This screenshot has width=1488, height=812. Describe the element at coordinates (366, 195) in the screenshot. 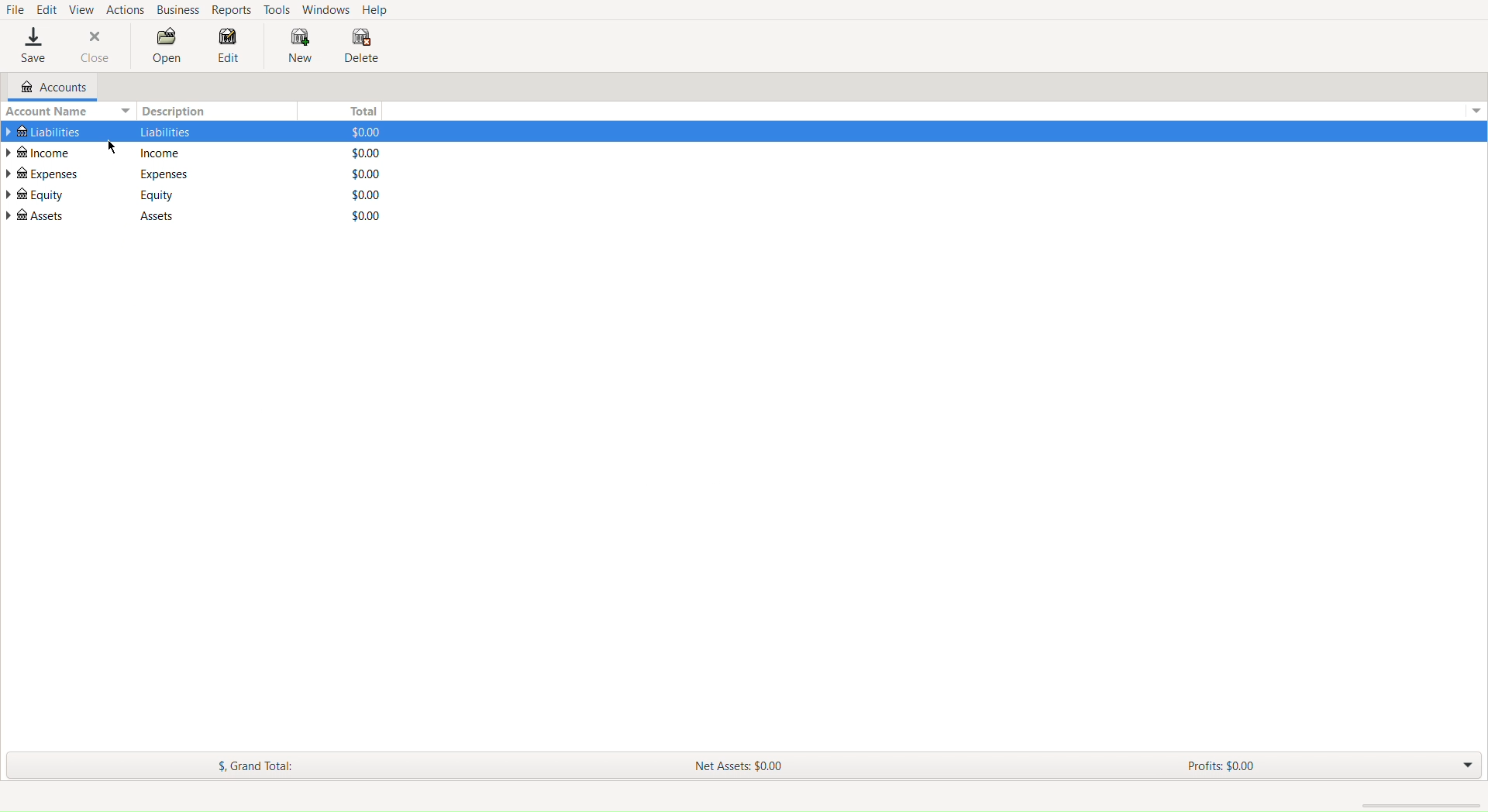

I see `Total` at that location.